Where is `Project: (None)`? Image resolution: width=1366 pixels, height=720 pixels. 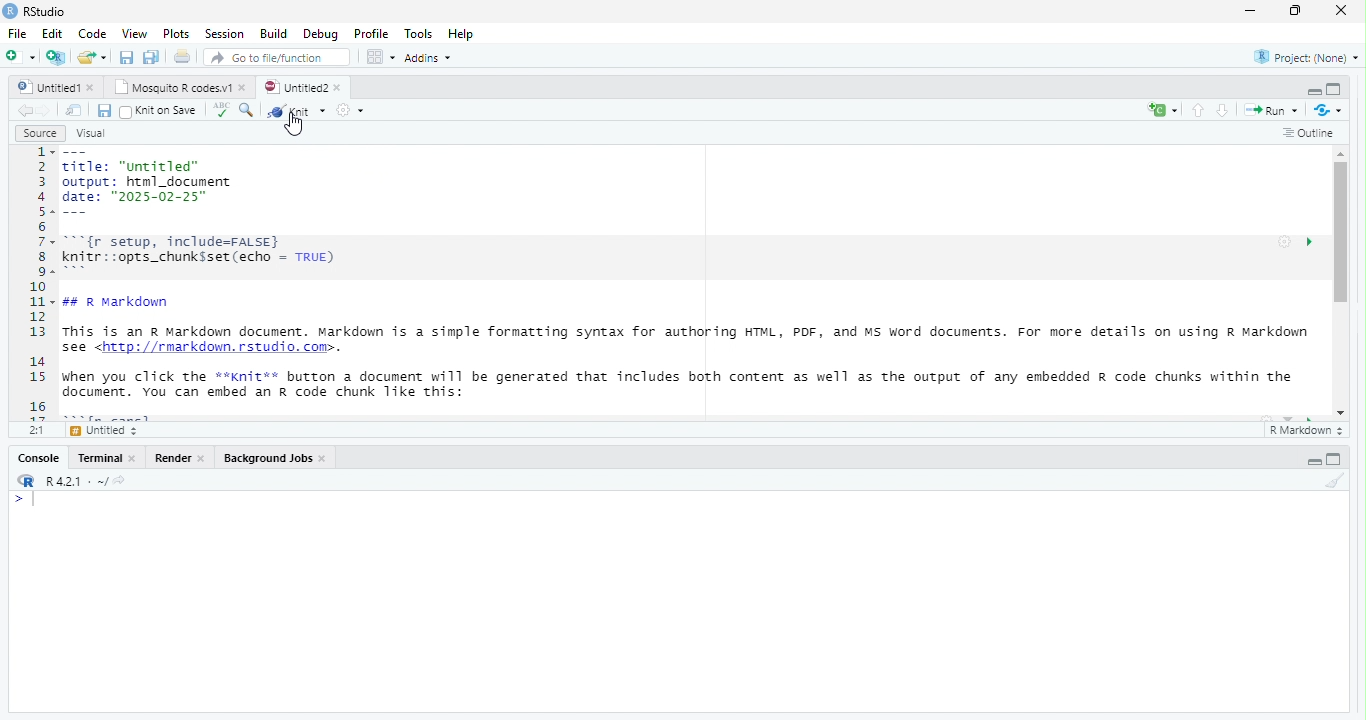 Project: (None) is located at coordinates (1307, 58).